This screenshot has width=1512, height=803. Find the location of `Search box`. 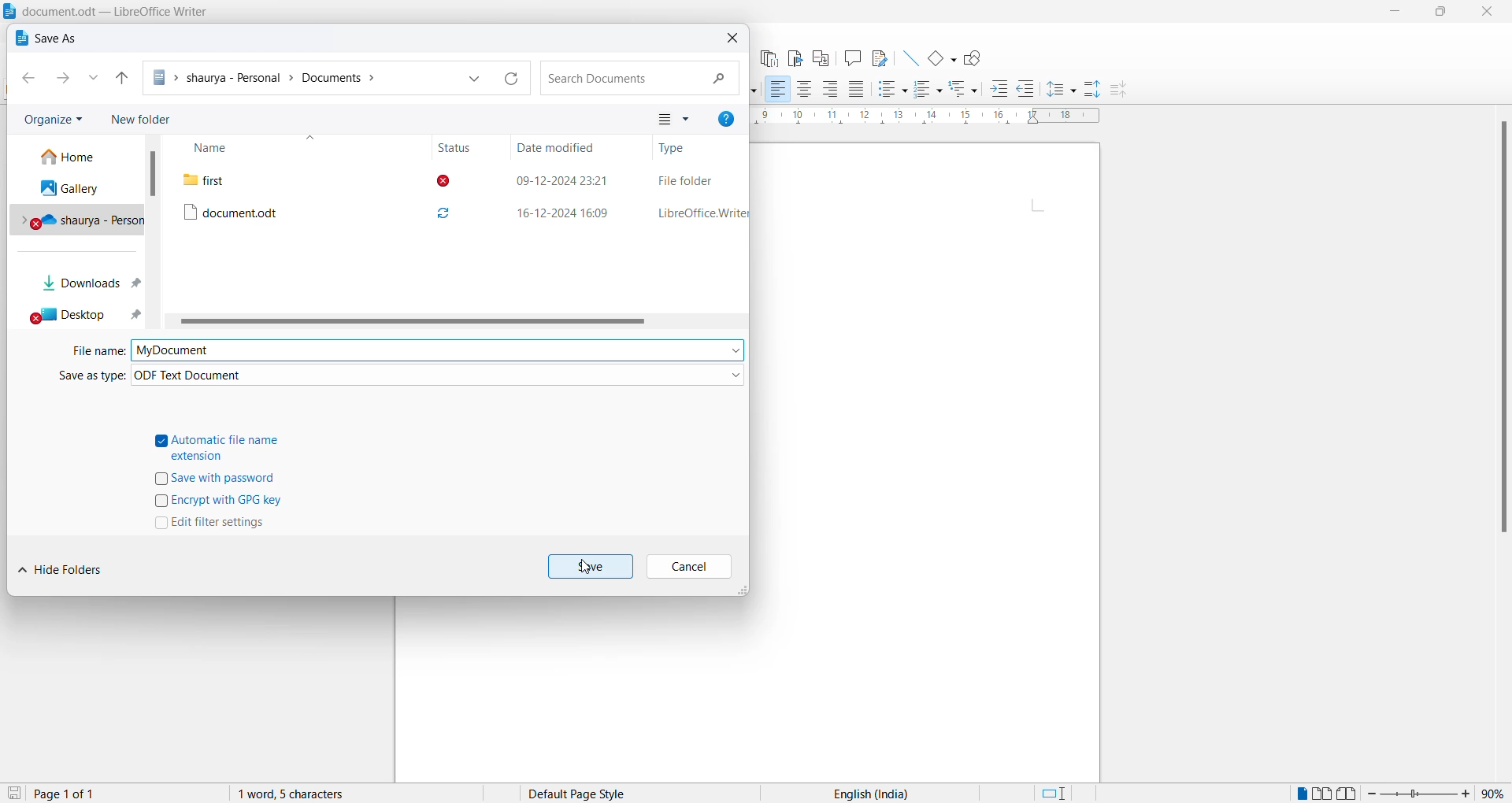

Search box is located at coordinates (639, 79).